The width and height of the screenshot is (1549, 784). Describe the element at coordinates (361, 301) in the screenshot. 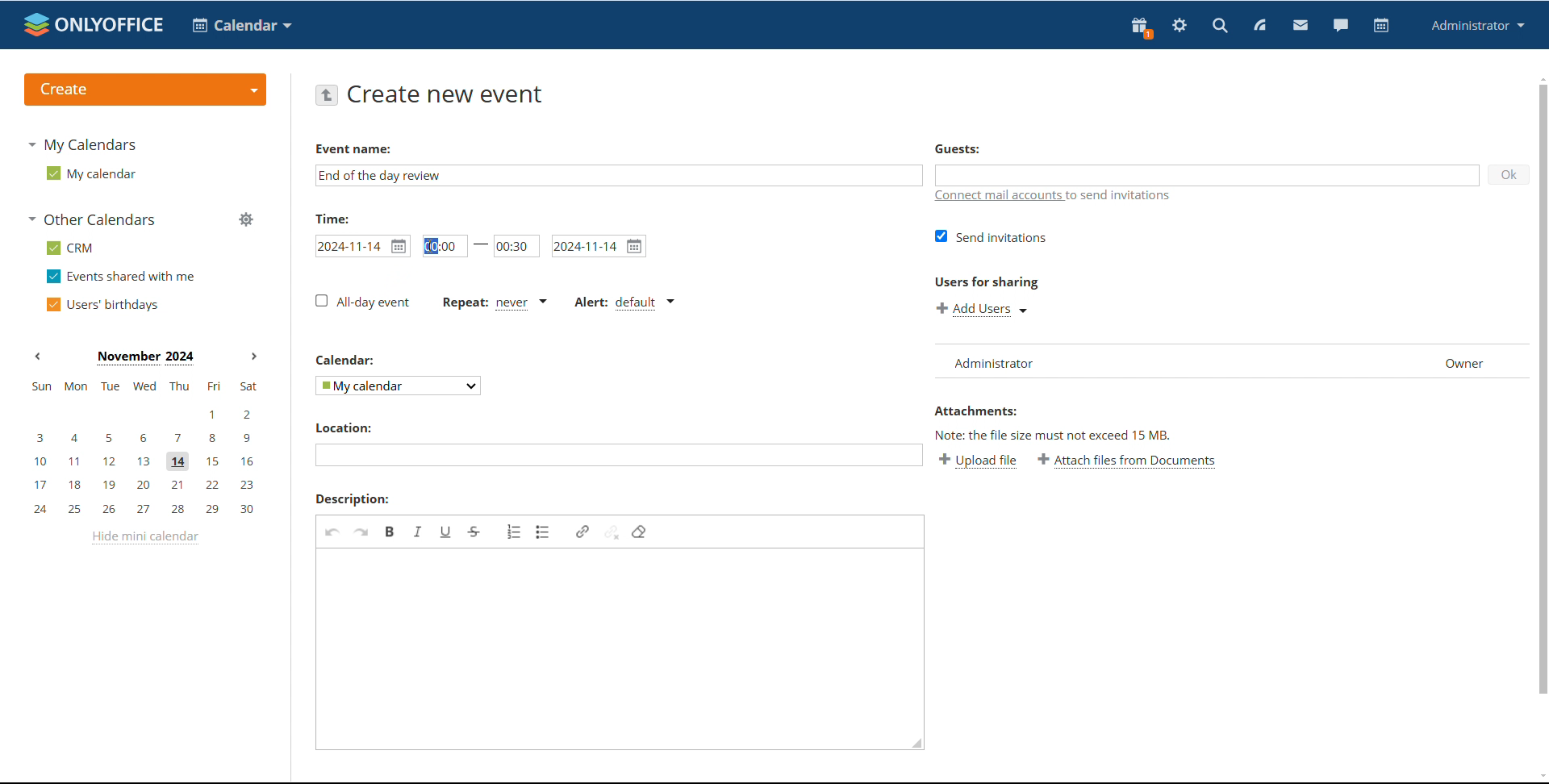

I see `all-day event unticked` at that location.